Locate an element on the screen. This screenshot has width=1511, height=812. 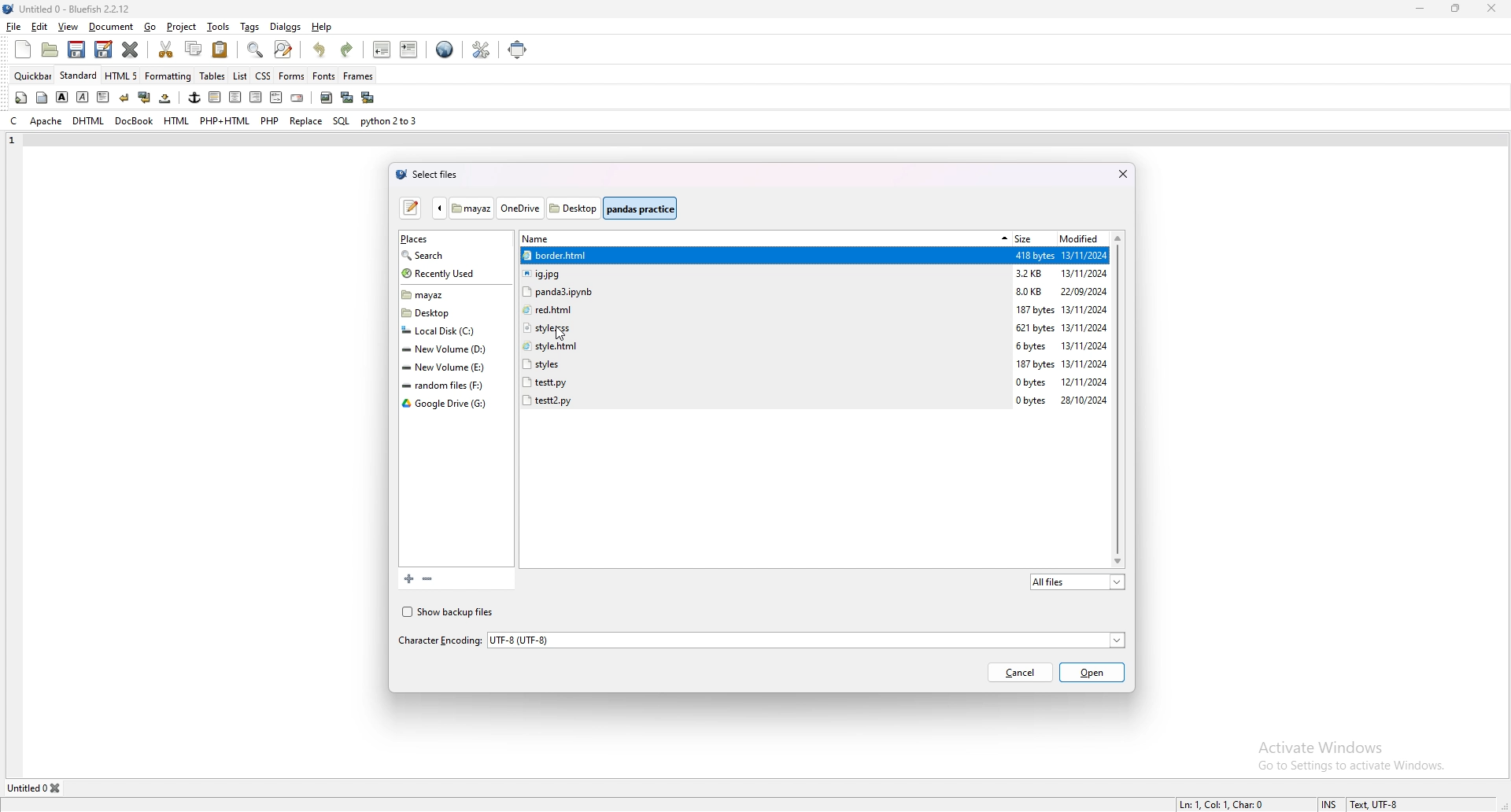
3.2KB is located at coordinates (1033, 275).